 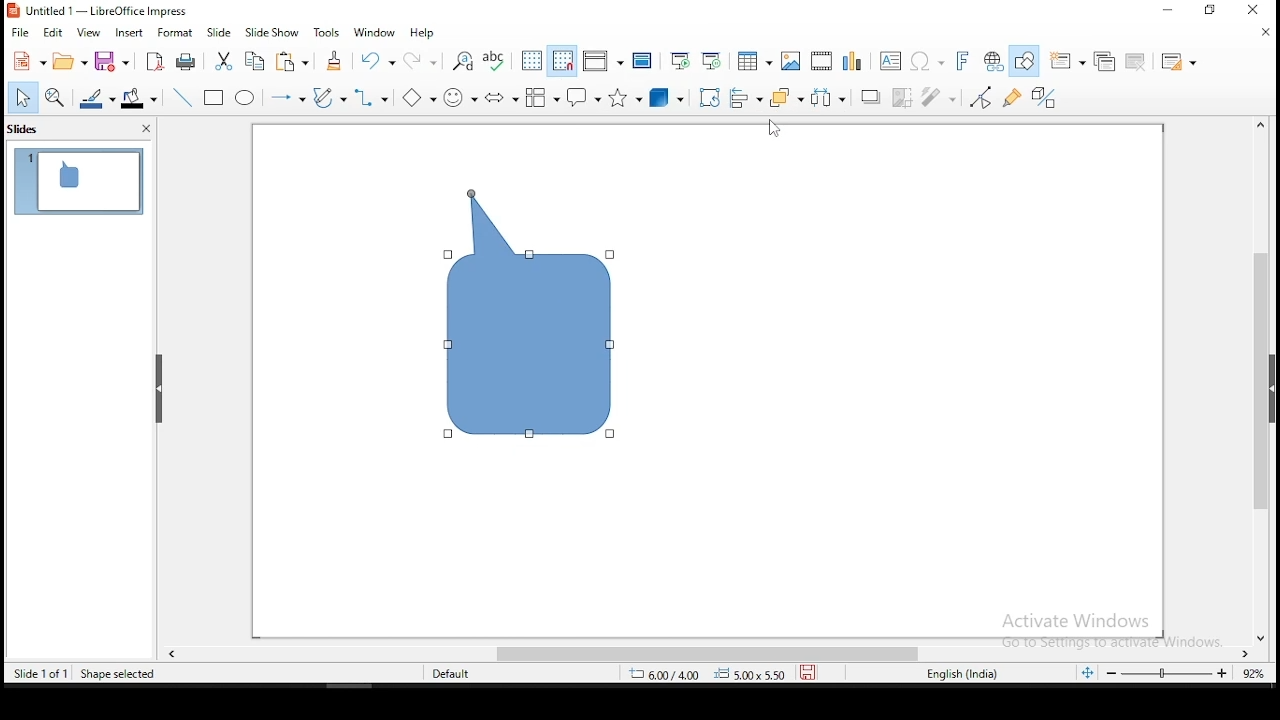 What do you see at coordinates (223, 61) in the screenshot?
I see `cut` at bounding box center [223, 61].